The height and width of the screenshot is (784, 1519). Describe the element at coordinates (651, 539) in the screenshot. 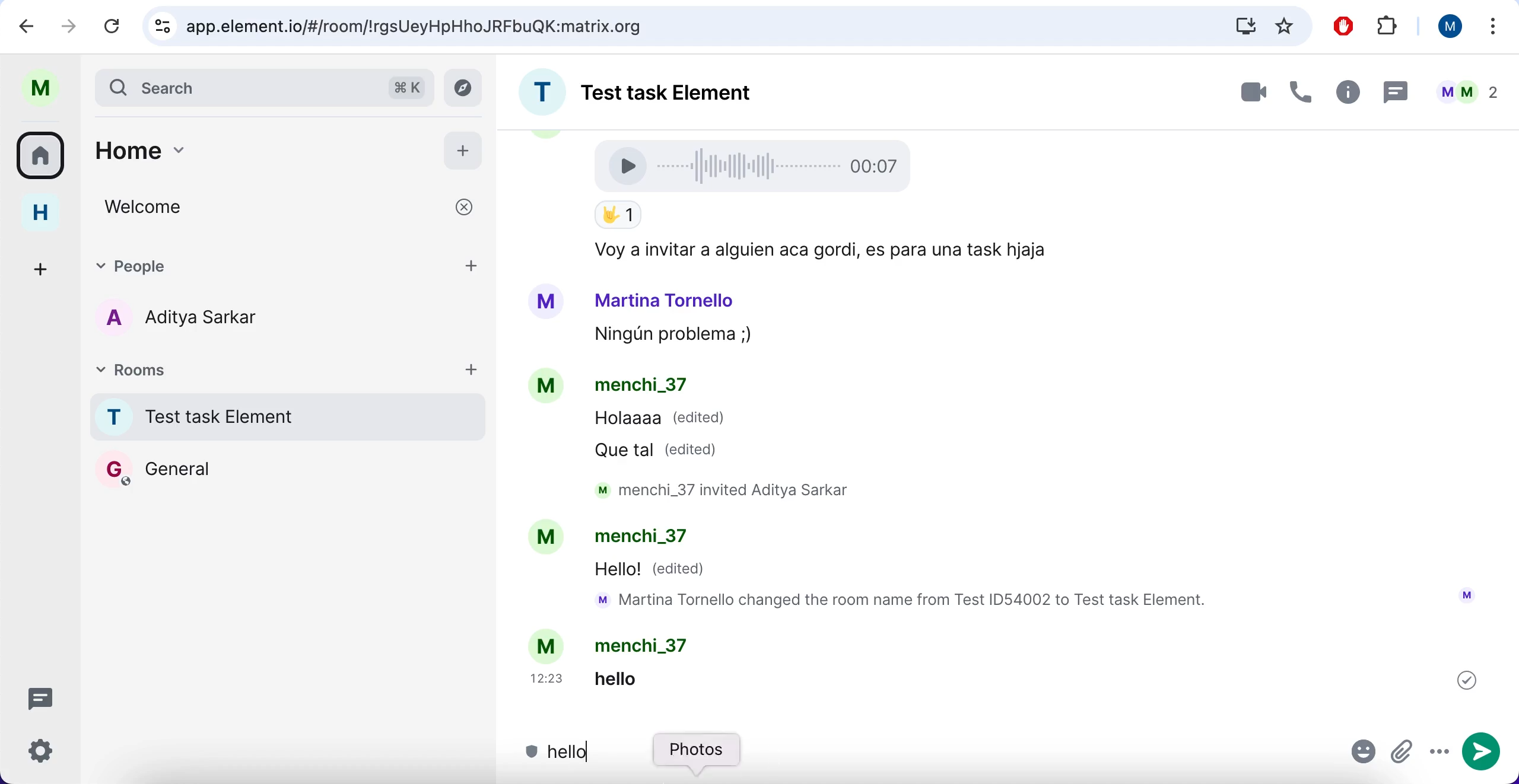

I see `menchi_37` at that location.